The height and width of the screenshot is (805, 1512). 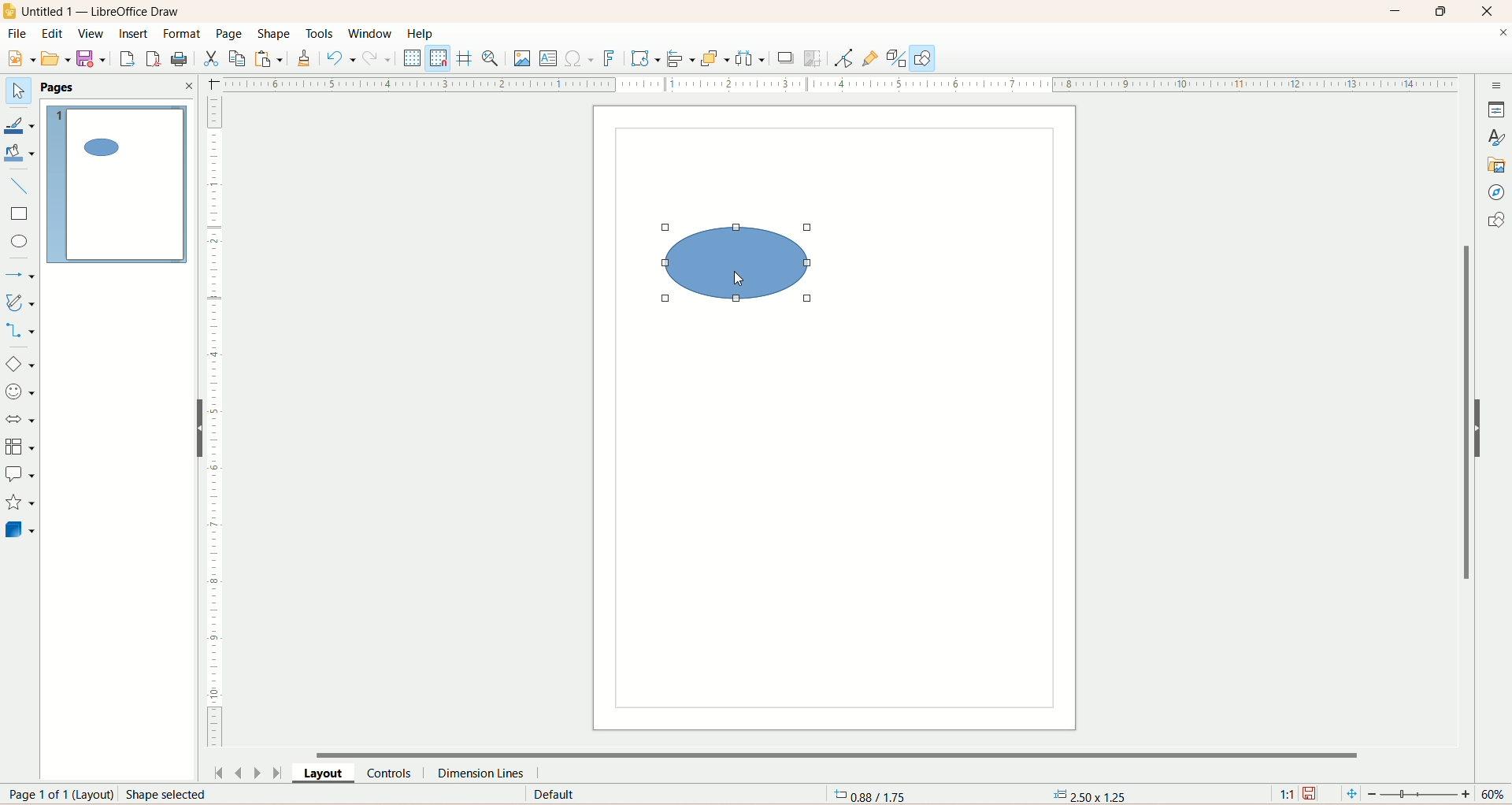 I want to click on hide, so click(x=1482, y=427).